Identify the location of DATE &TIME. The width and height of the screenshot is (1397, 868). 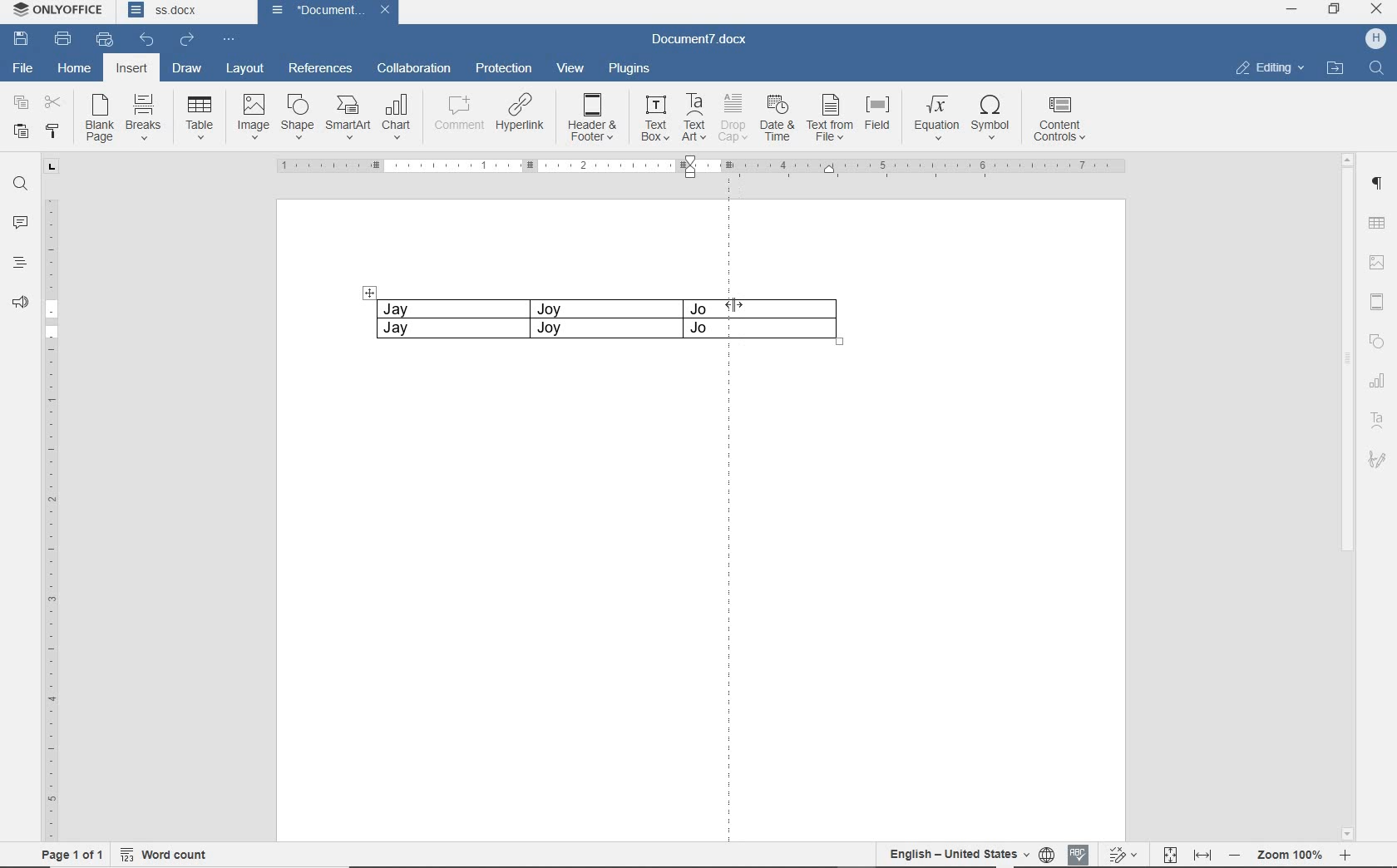
(777, 117).